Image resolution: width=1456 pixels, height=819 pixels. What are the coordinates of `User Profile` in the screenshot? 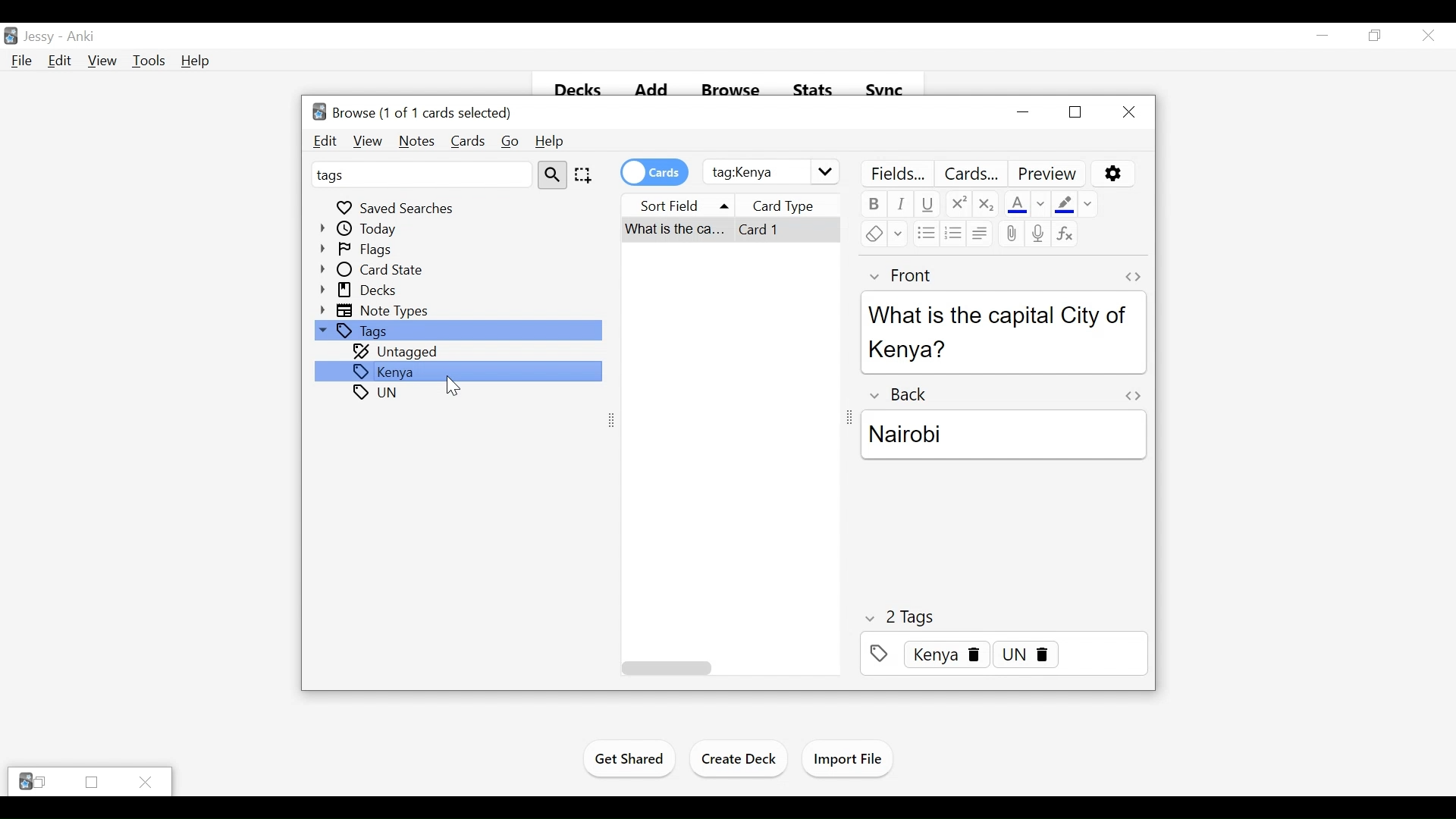 It's located at (39, 38).